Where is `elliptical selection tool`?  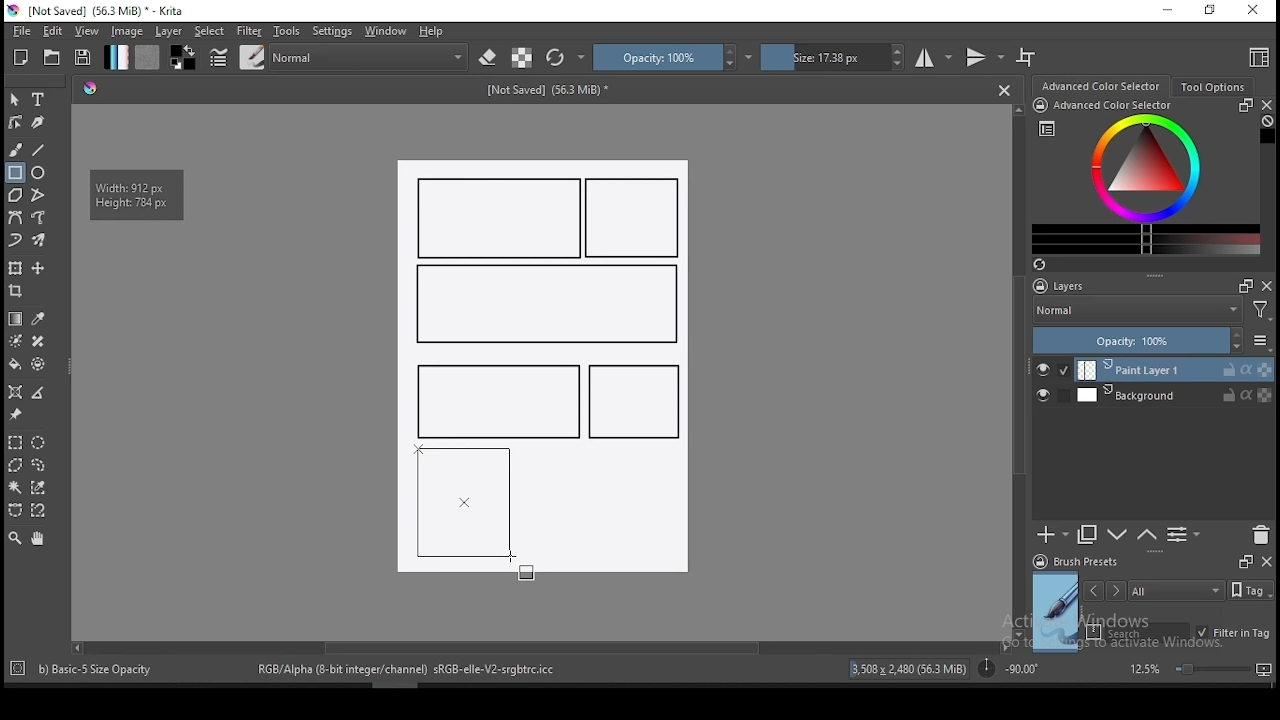 elliptical selection tool is located at coordinates (38, 443).